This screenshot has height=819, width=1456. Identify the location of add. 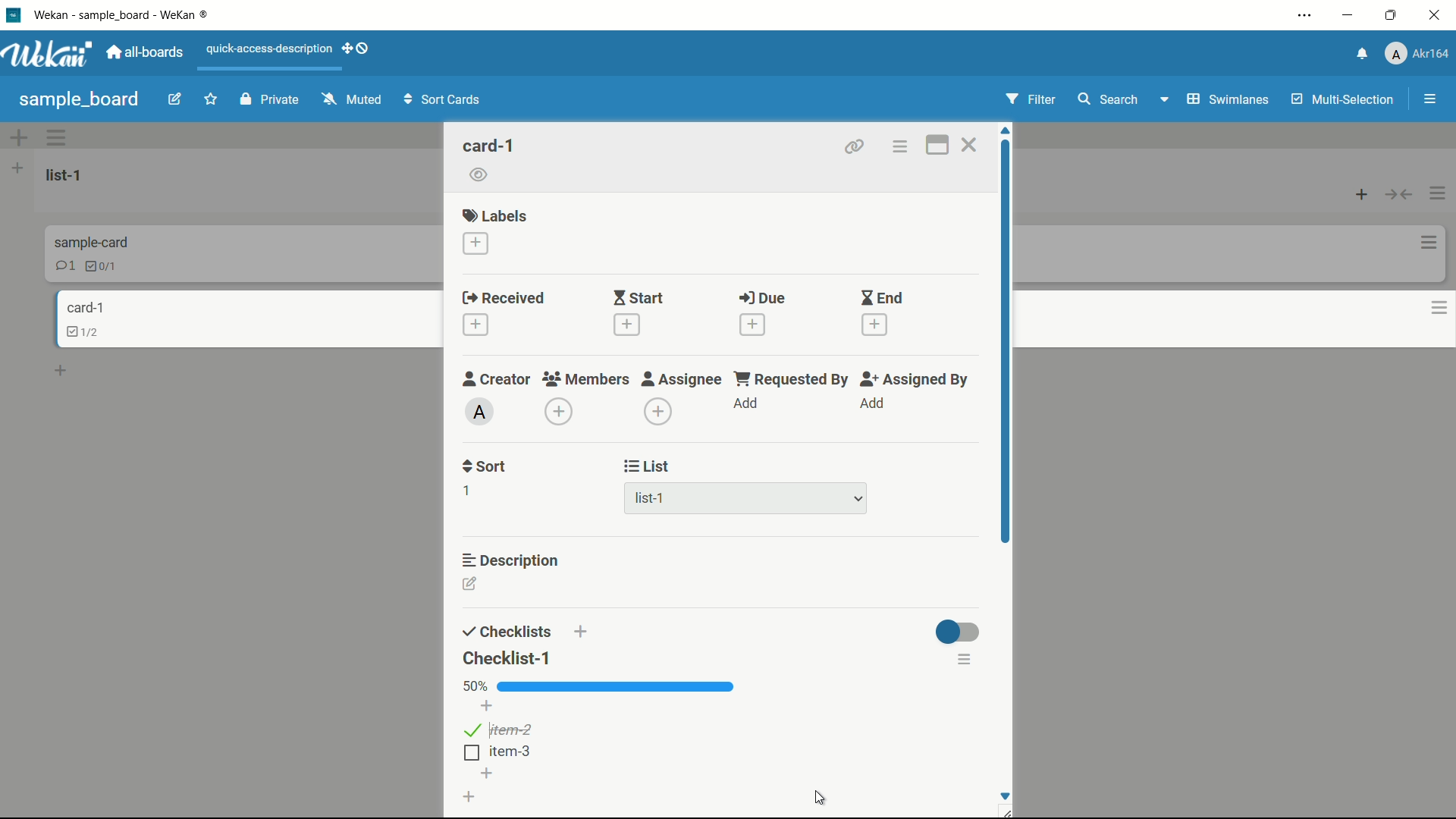
(472, 801).